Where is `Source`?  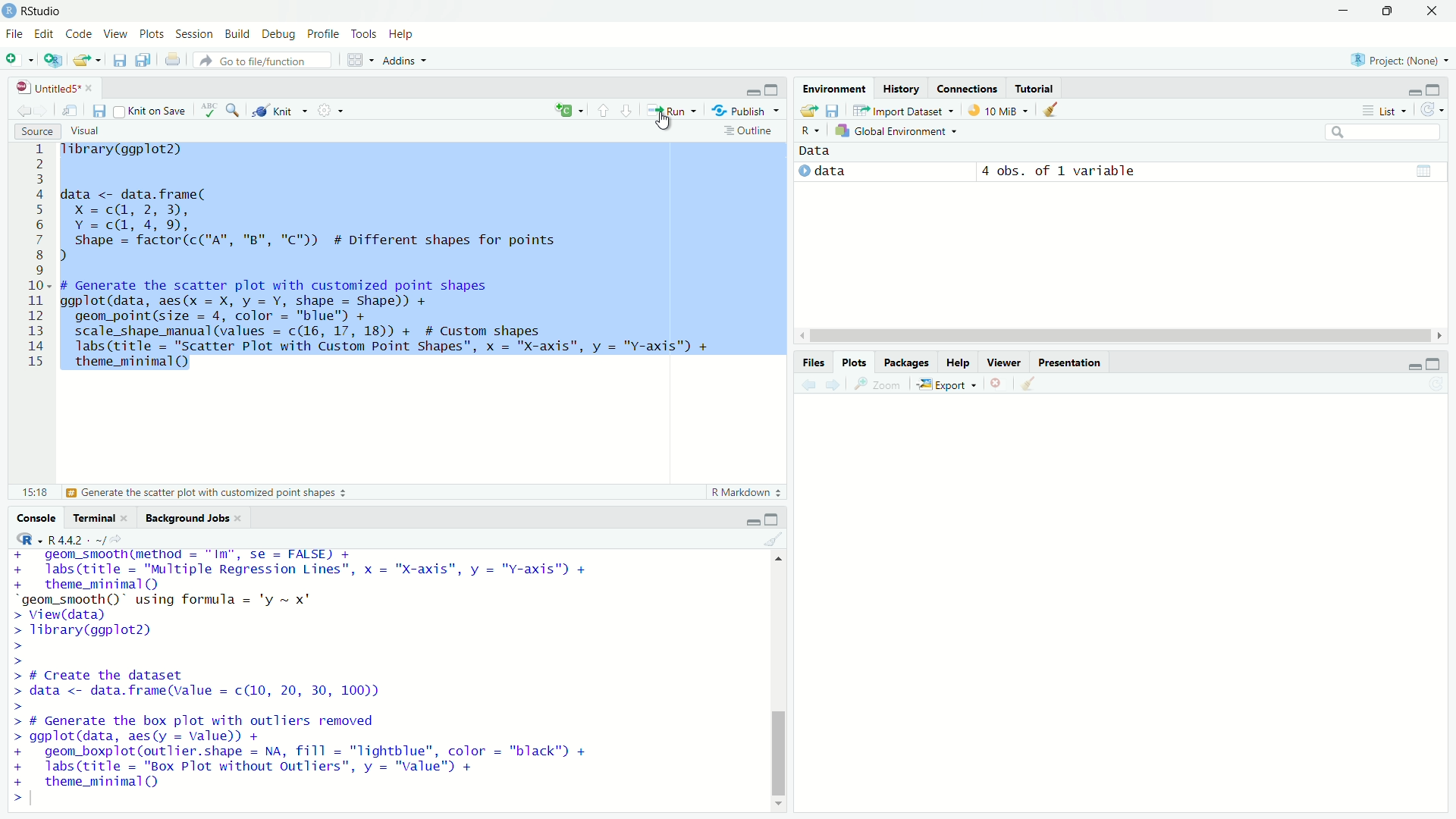
Source is located at coordinates (36, 132).